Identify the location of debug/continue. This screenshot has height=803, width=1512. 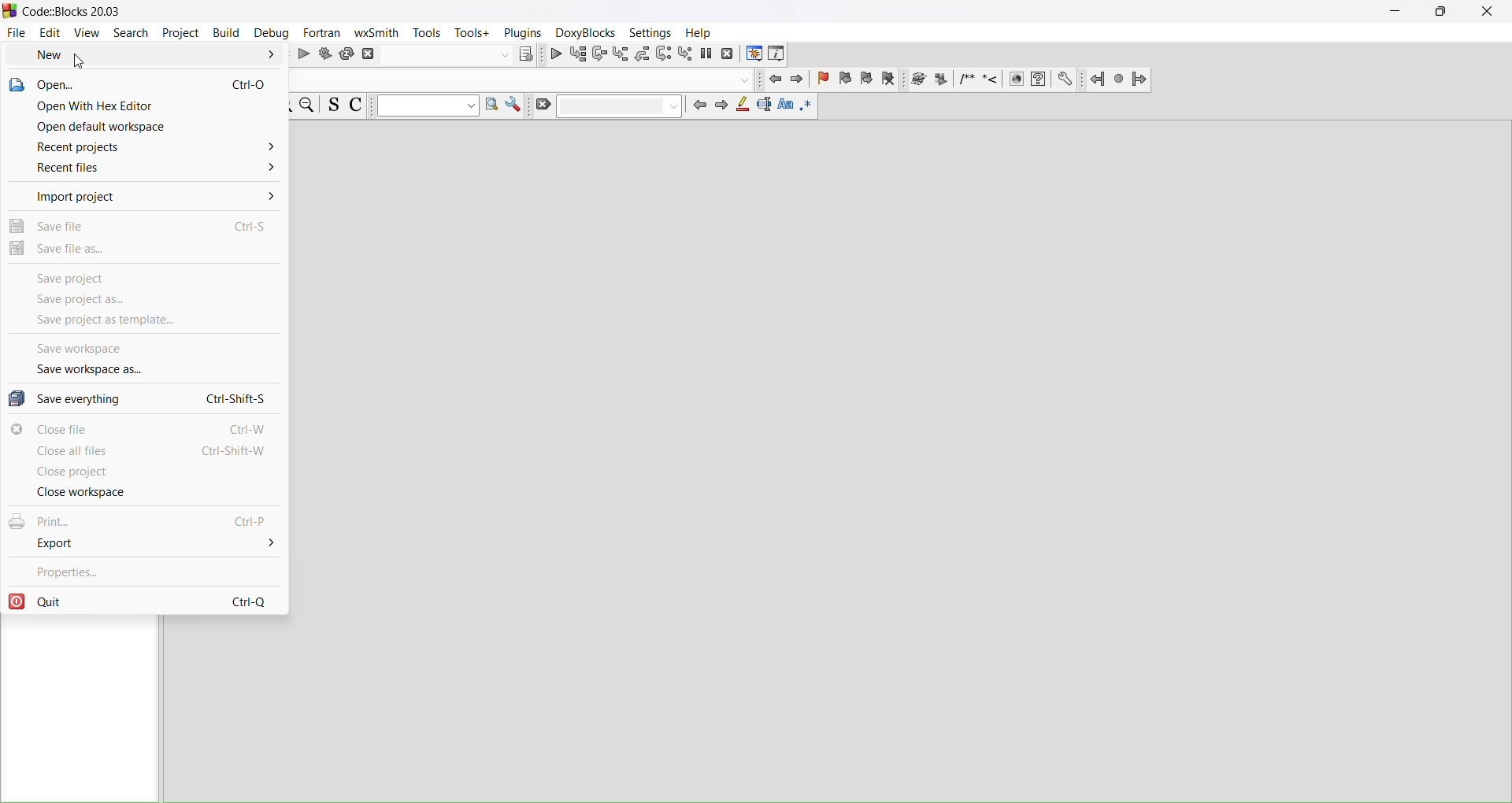
(555, 54).